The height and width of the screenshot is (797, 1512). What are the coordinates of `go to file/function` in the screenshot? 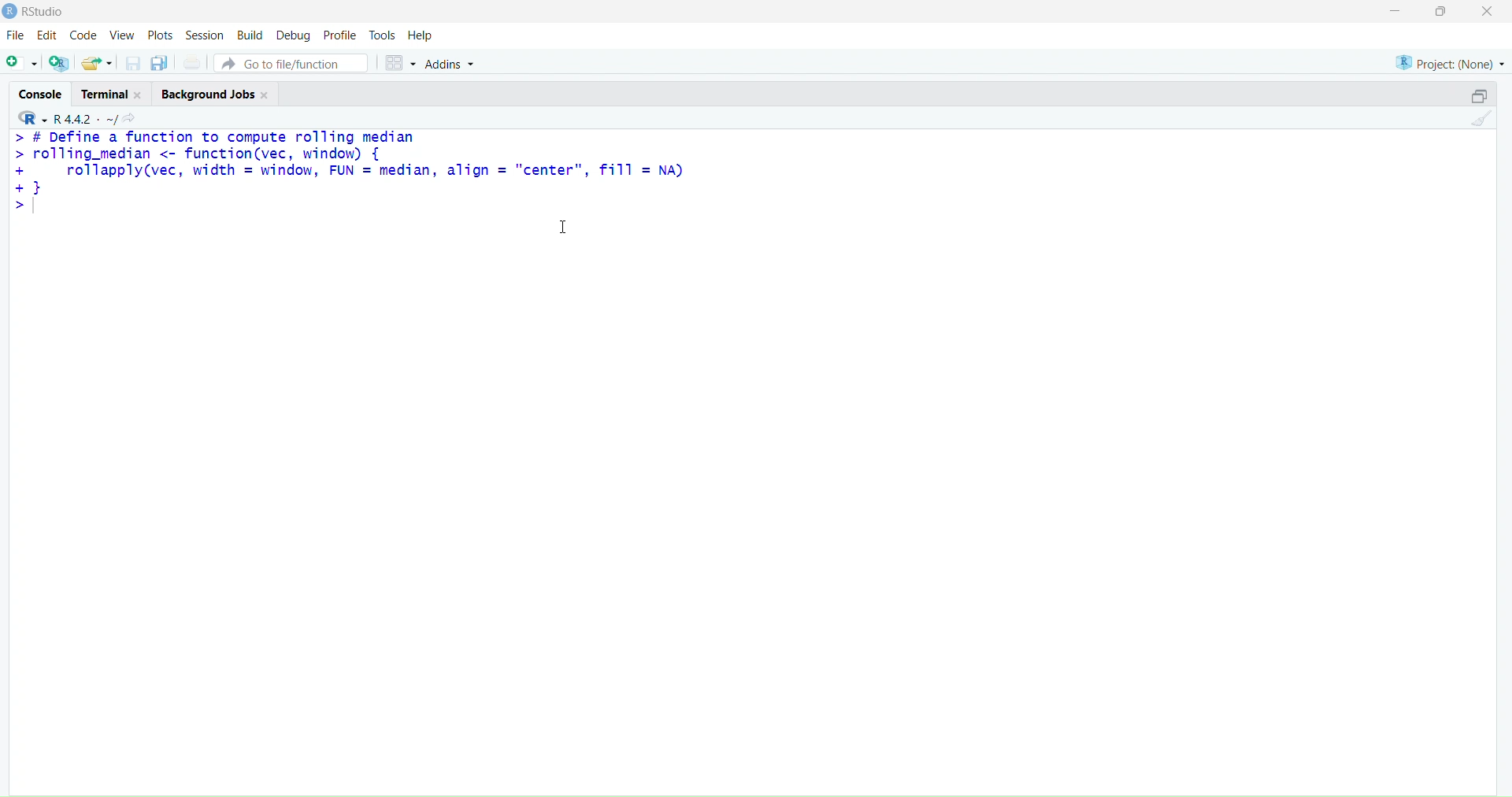 It's located at (293, 64).